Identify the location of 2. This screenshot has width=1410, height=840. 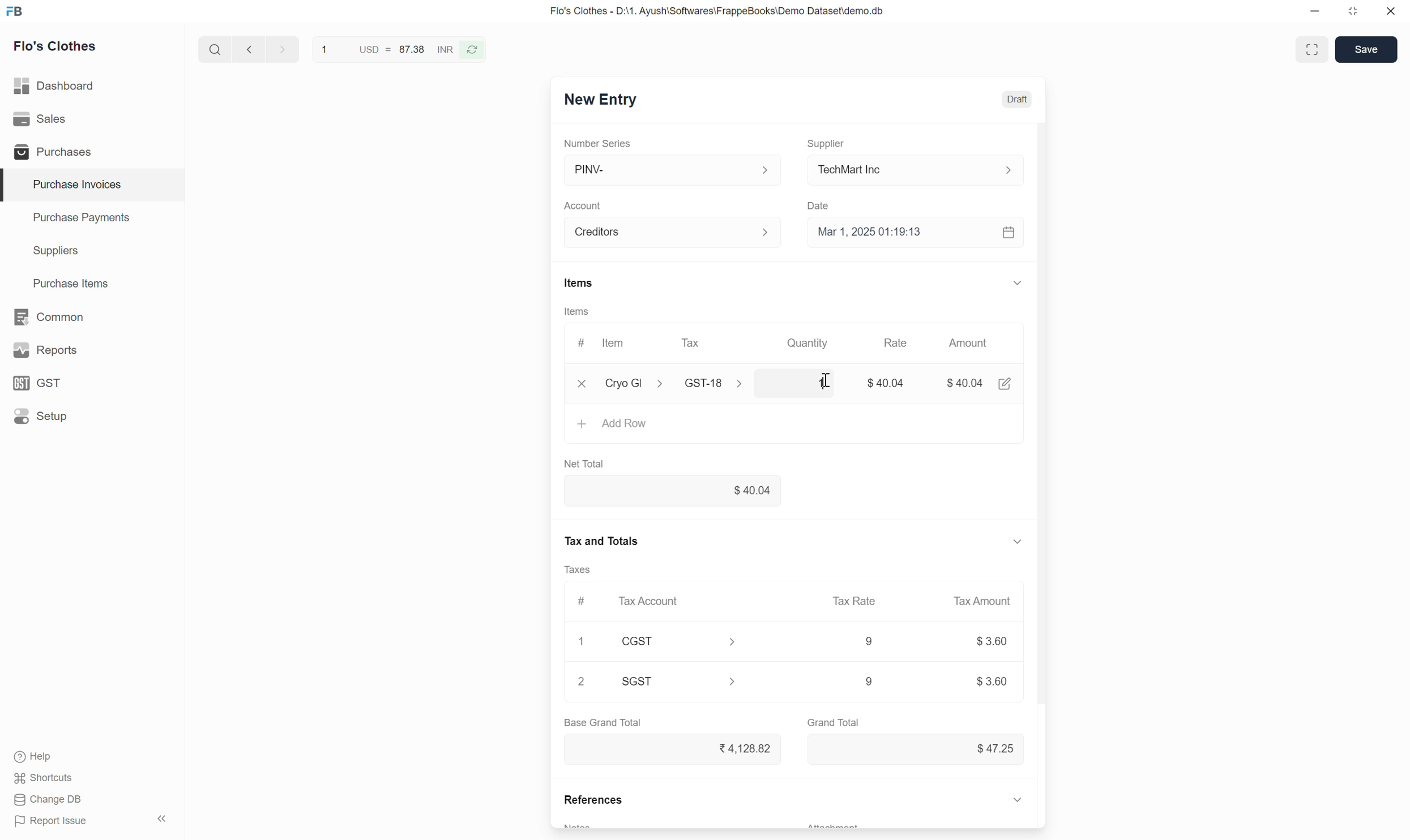
(582, 682).